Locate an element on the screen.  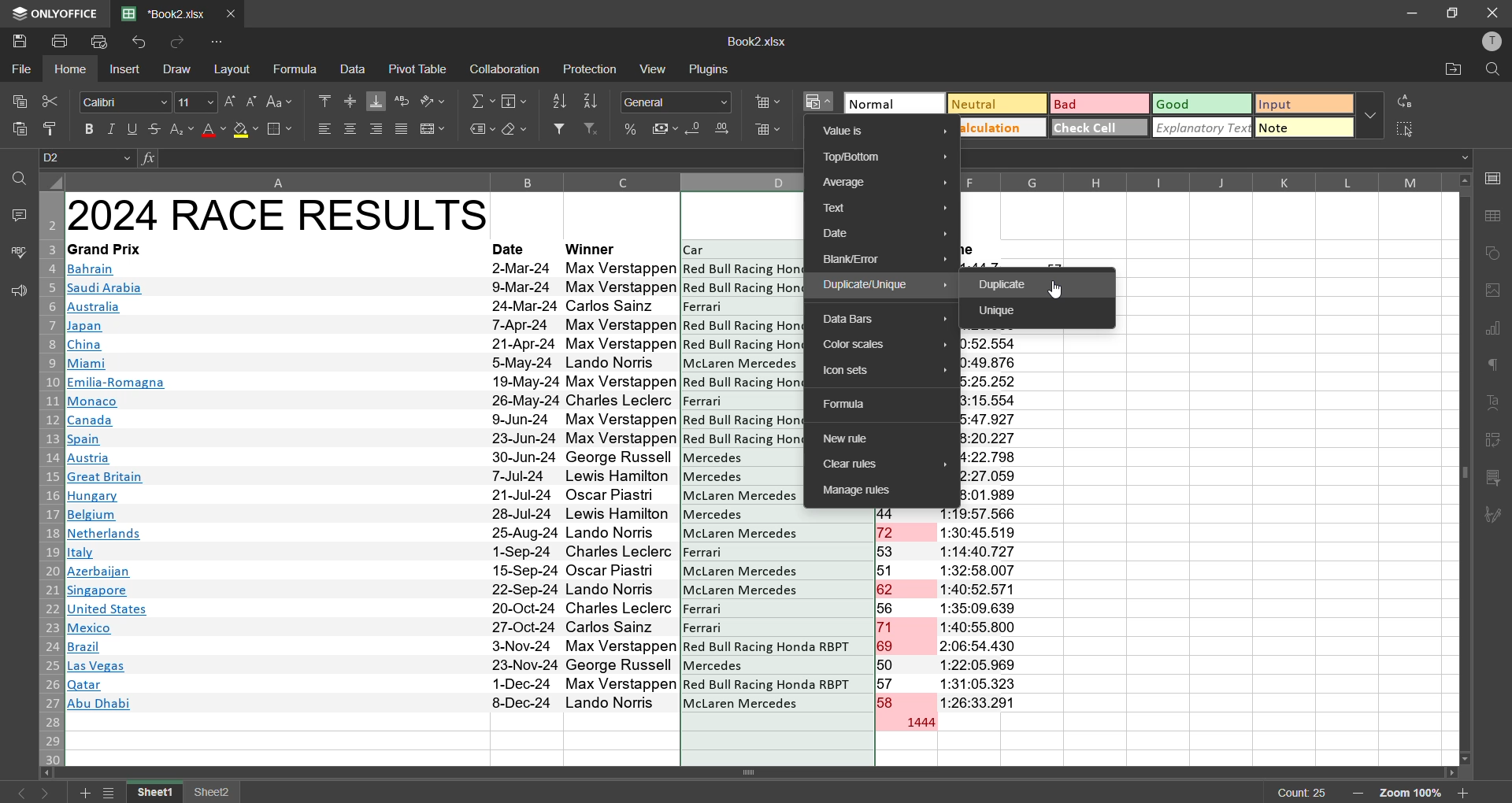
color scales is located at coordinates (881, 345).